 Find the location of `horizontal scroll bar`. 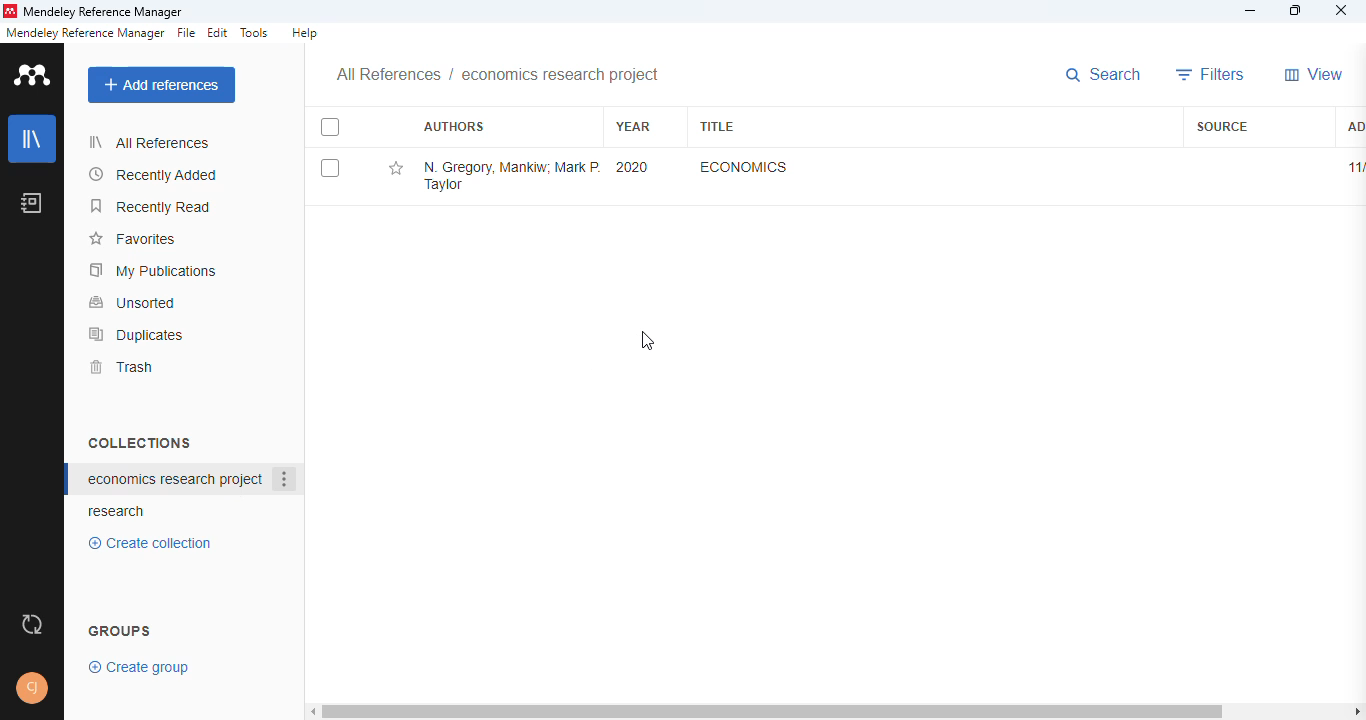

horizontal scroll bar is located at coordinates (840, 712).